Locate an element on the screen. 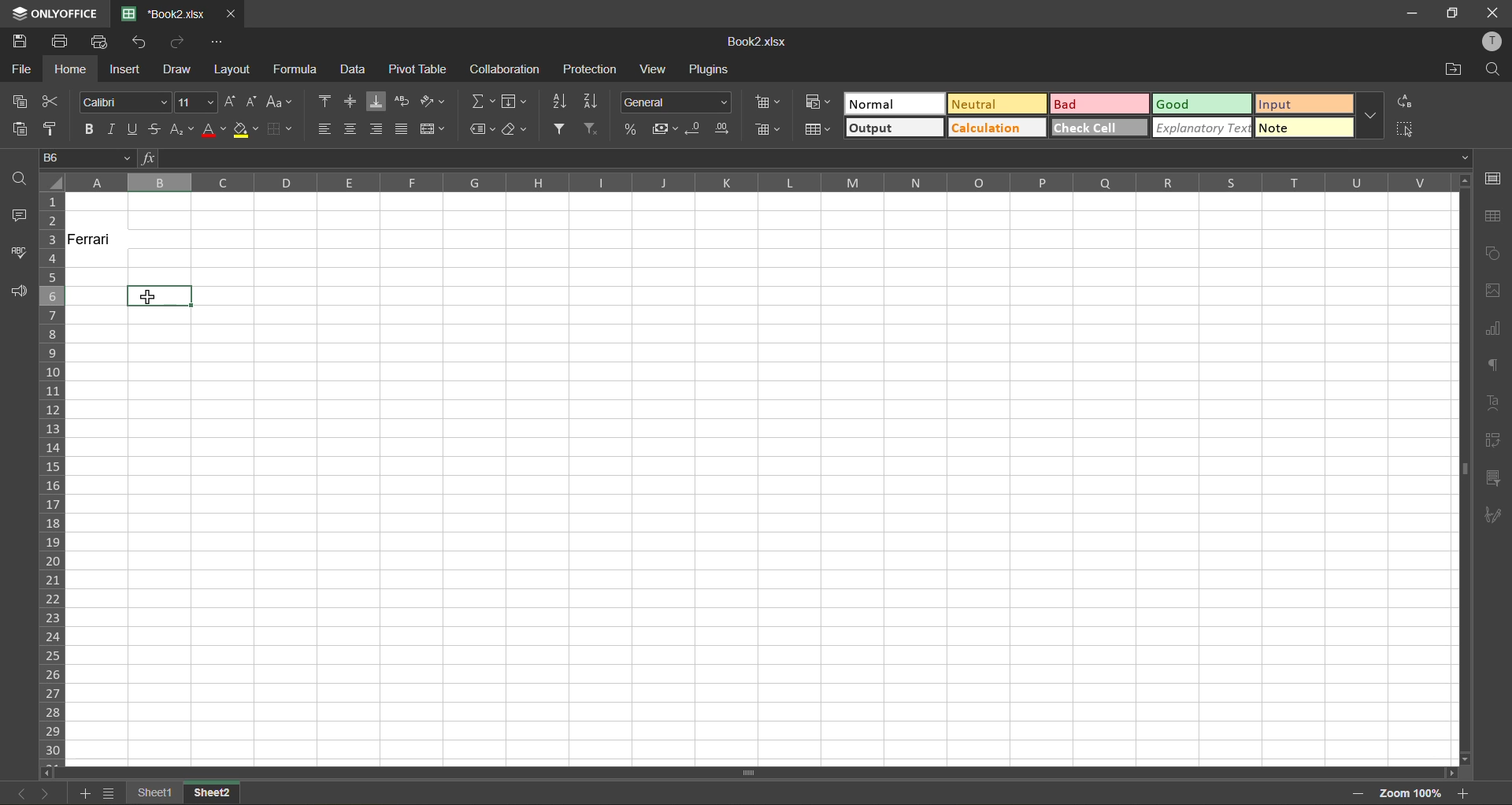 The width and height of the screenshot is (1512, 805). normal is located at coordinates (895, 103).